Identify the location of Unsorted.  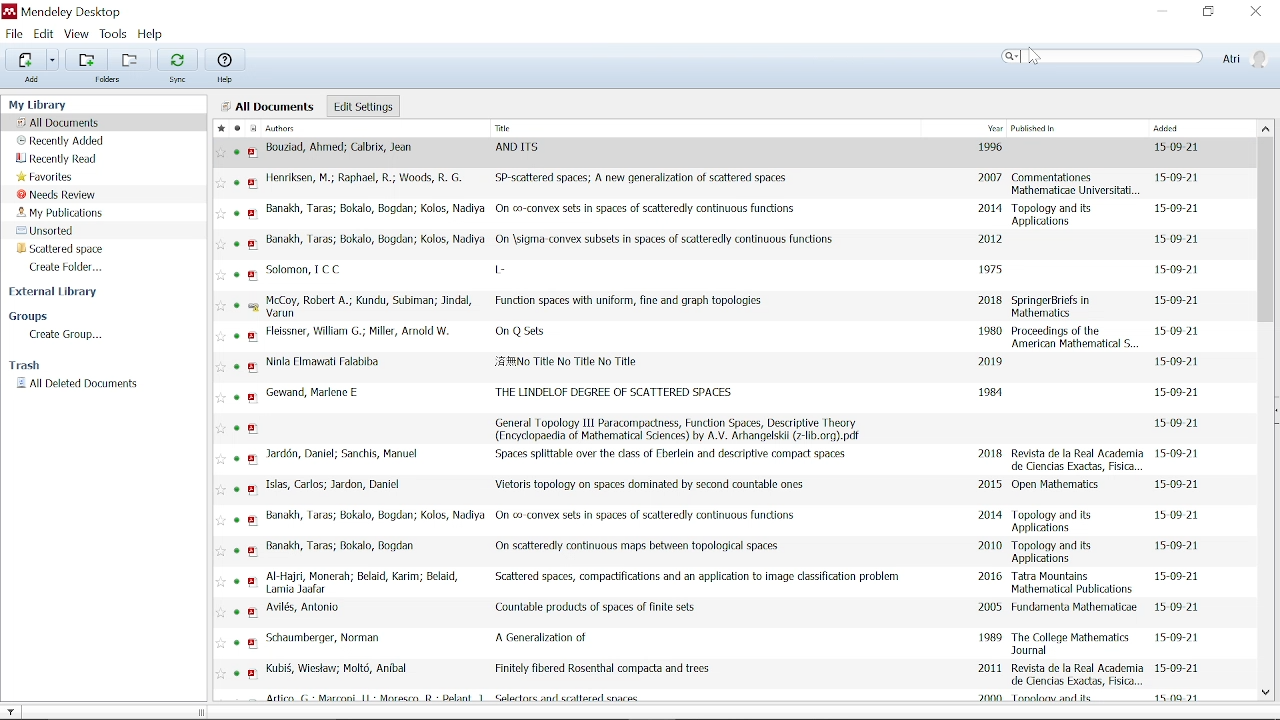
(60, 231).